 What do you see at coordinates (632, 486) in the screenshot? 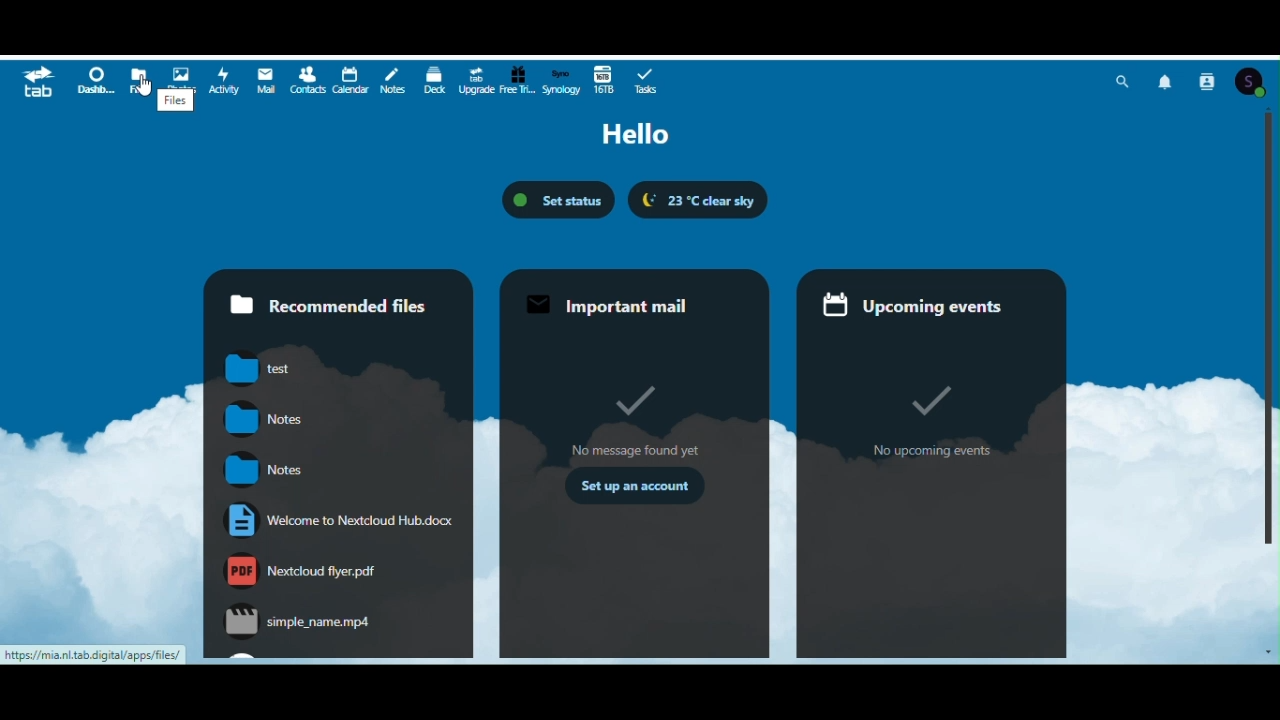
I see `set up an account` at bounding box center [632, 486].